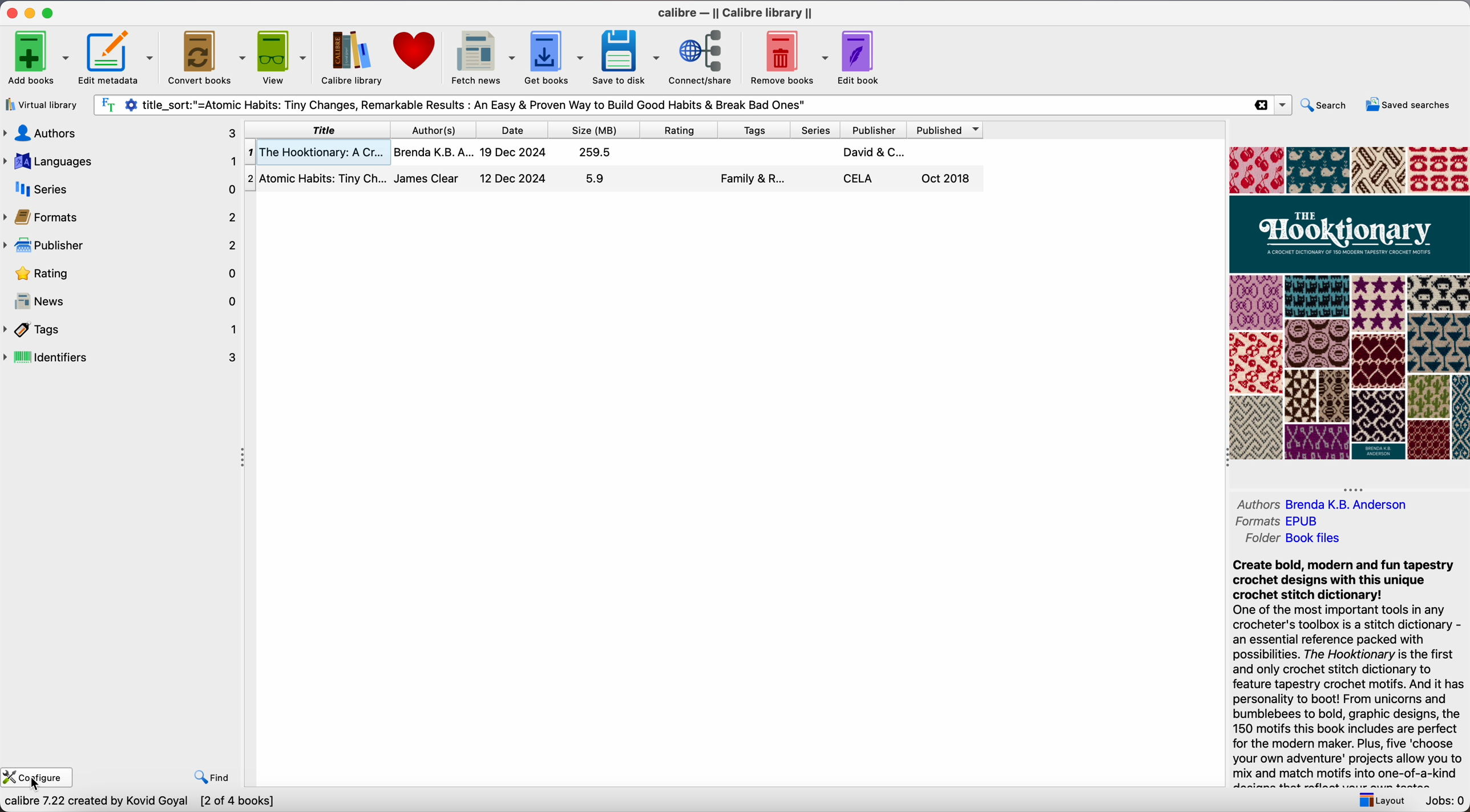 Image resolution: width=1470 pixels, height=812 pixels. Describe the element at coordinates (1381, 801) in the screenshot. I see `layout` at that location.